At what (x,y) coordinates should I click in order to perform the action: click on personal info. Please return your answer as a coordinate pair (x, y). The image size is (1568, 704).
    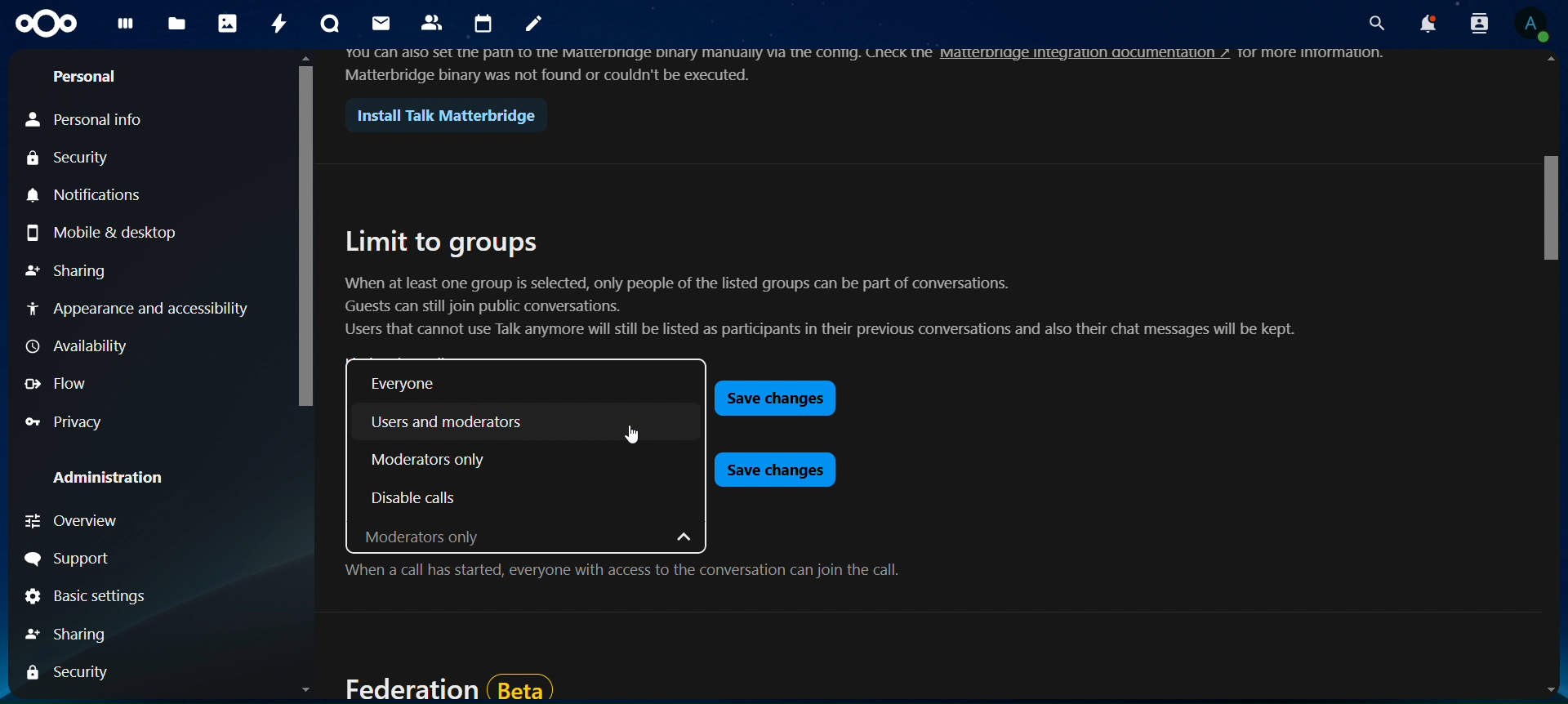
    Looking at the image, I should click on (89, 118).